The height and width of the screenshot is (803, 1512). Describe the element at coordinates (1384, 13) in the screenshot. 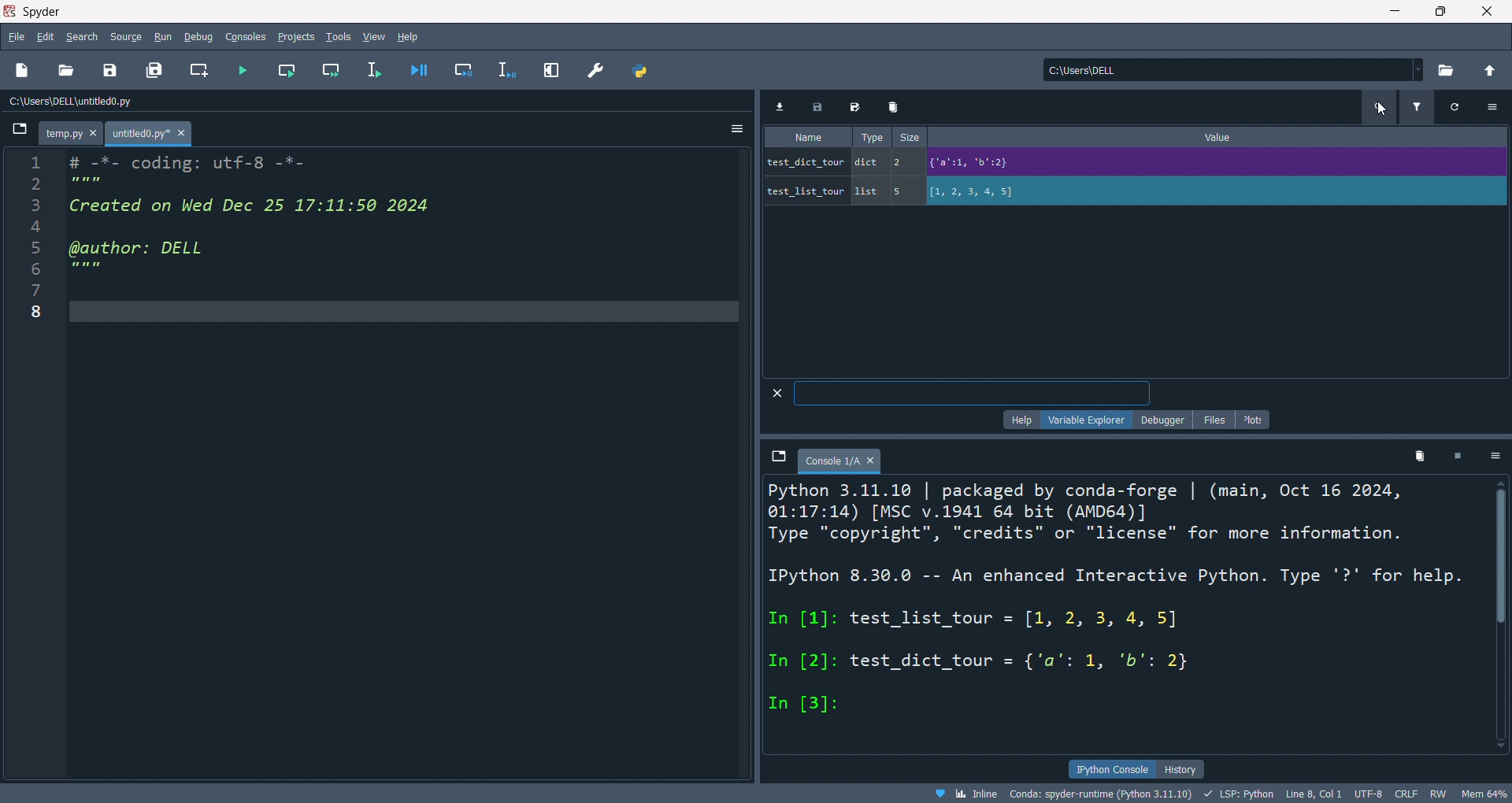

I see `minimize` at that location.